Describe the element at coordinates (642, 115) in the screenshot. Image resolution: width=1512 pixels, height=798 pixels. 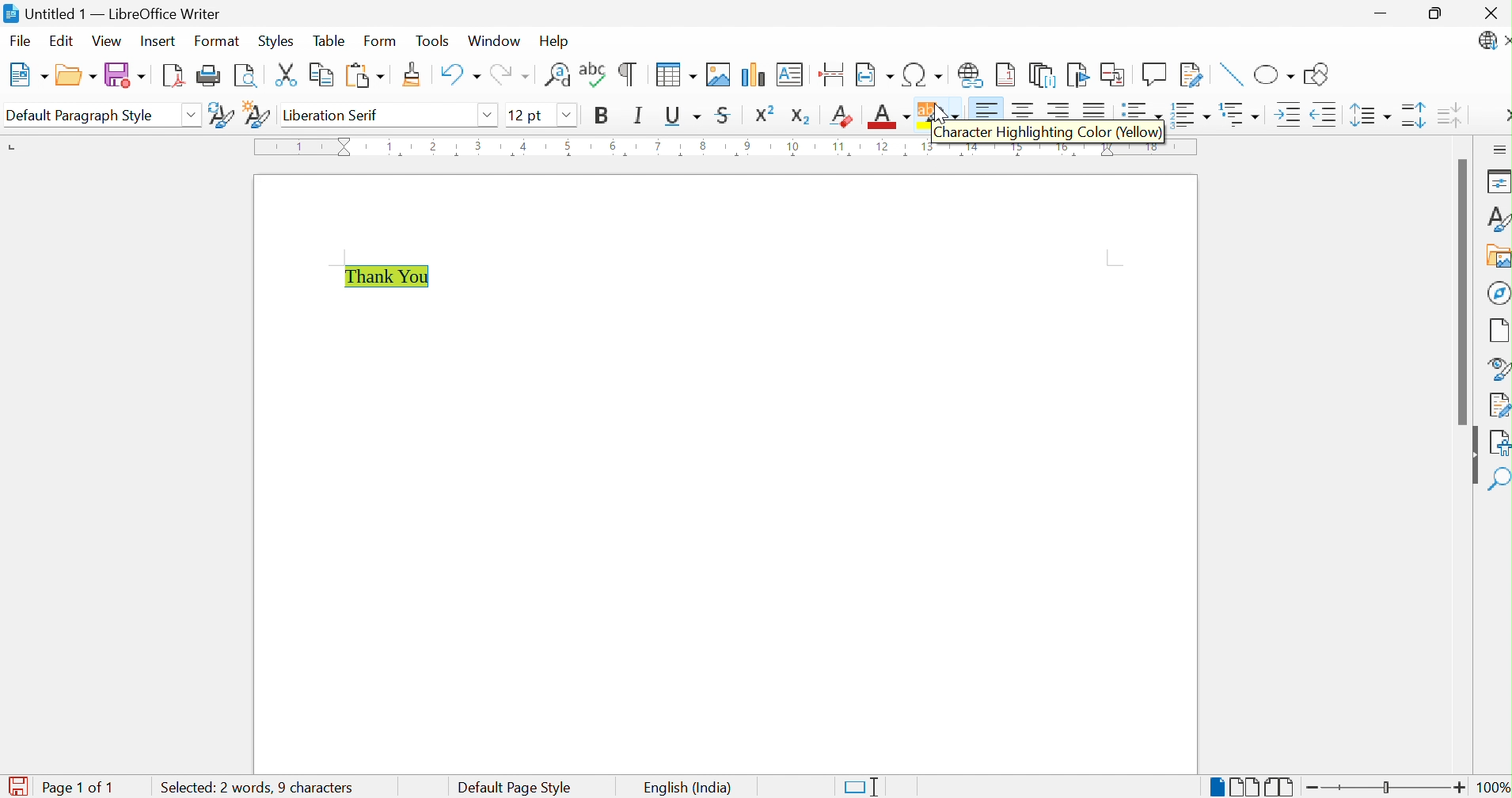
I see `Italic` at that location.